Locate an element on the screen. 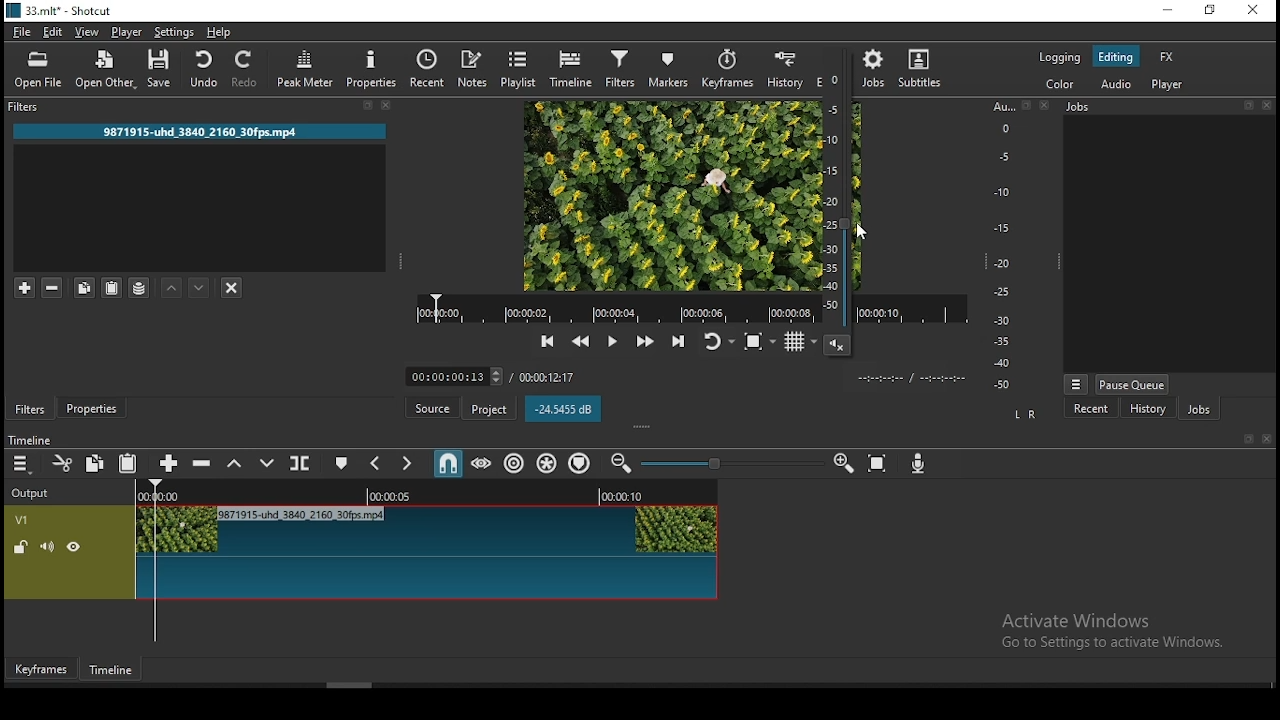 Image resolution: width=1280 pixels, height=720 pixels. color is located at coordinates (1051, 86).